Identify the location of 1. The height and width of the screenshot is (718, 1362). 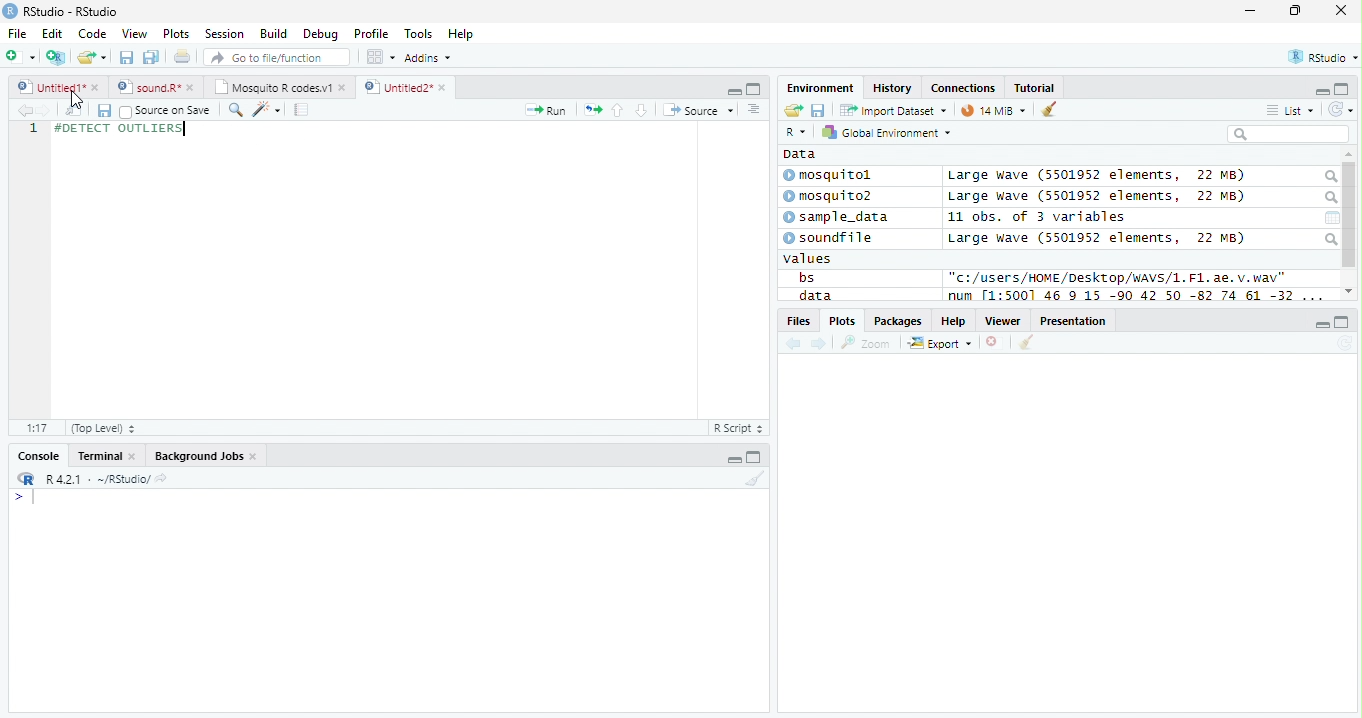
(33, 130).